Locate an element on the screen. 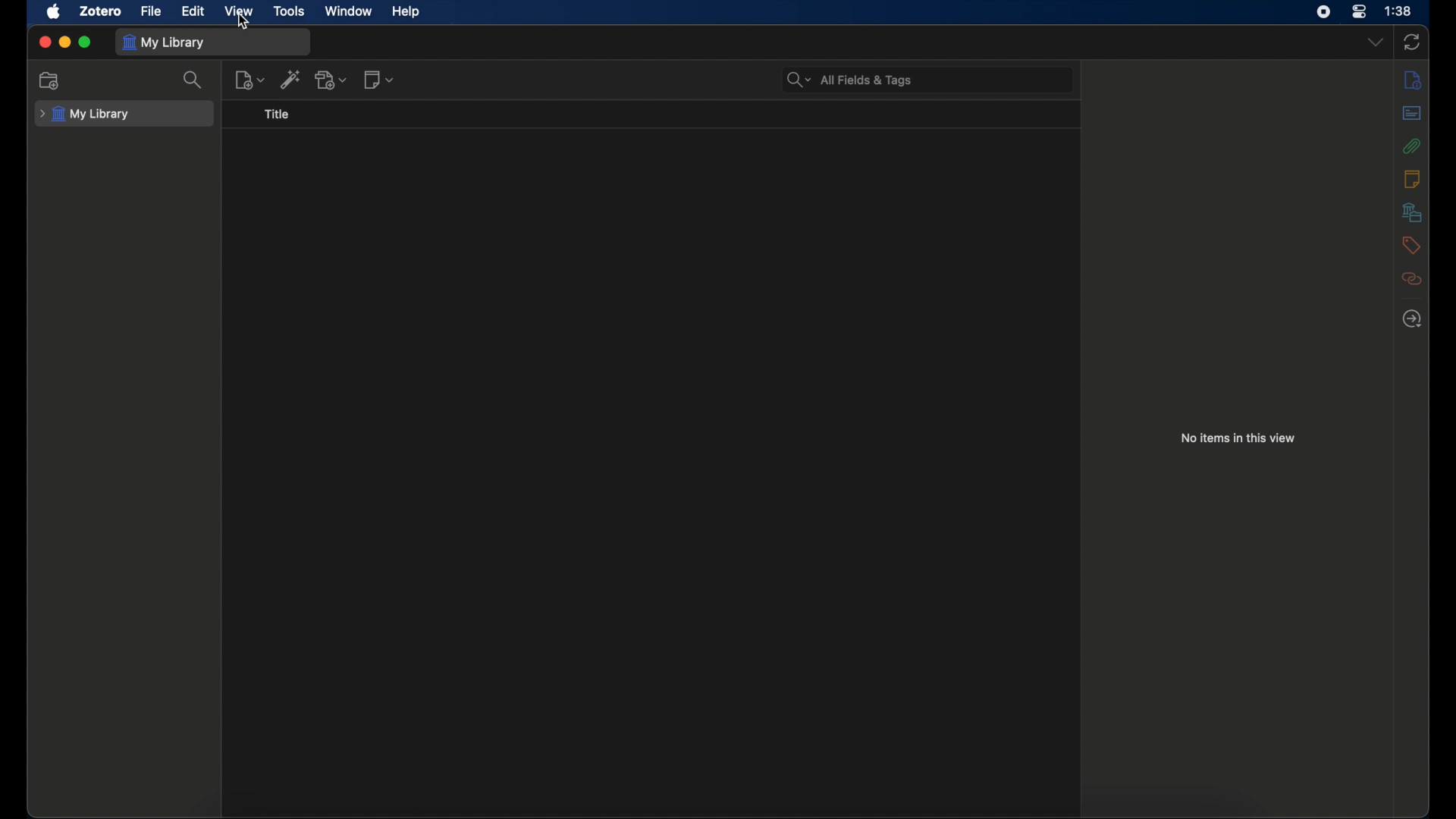 The image size is (1456, 819). new collections is located at coordinates (51, 81).